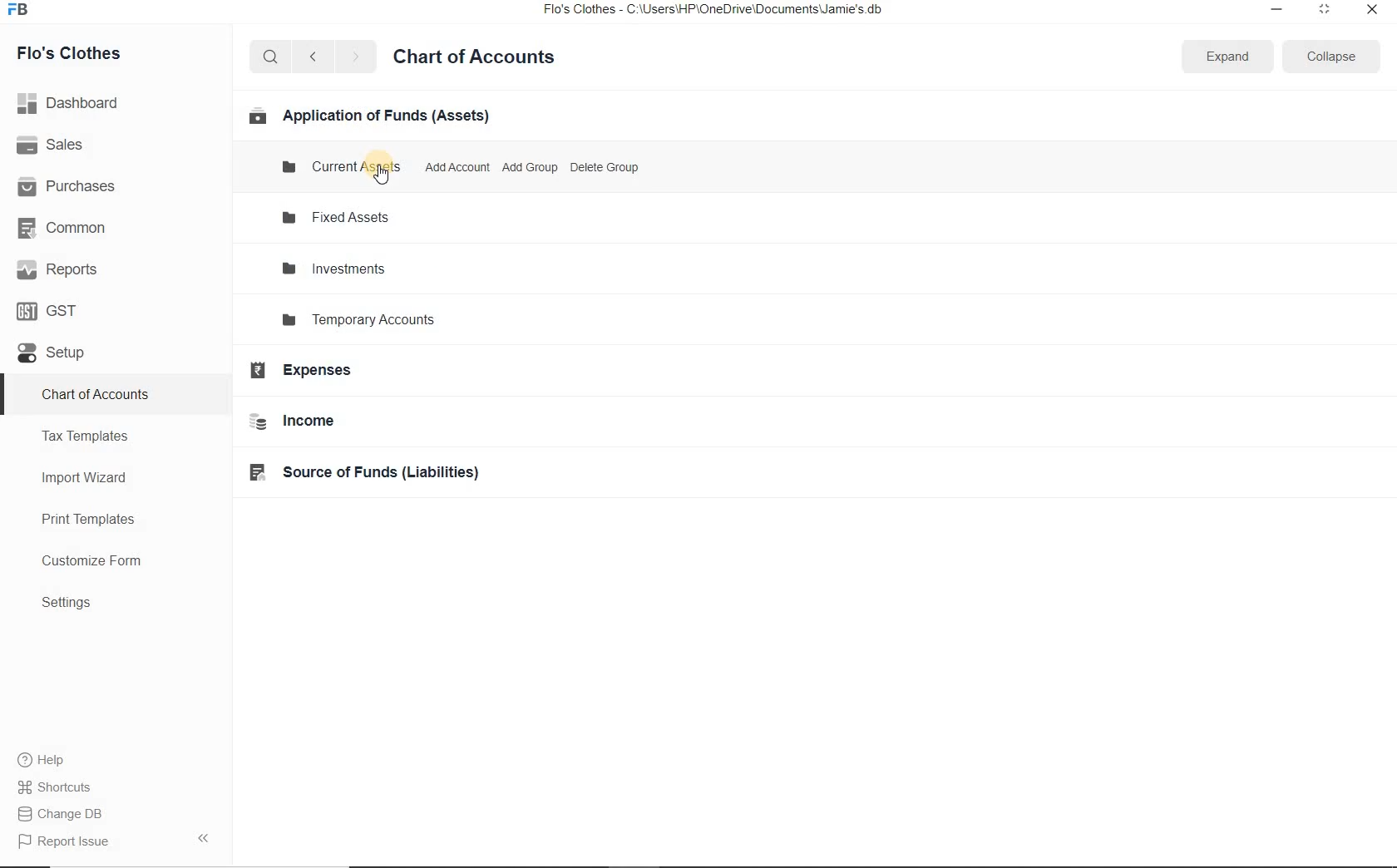 Image resolution: width=1397 pixels, height=868 pixels. What do you see at coordinates (55, 784) in the screenshot?
I see `Shortcuts` at bounding box center [55, 784].